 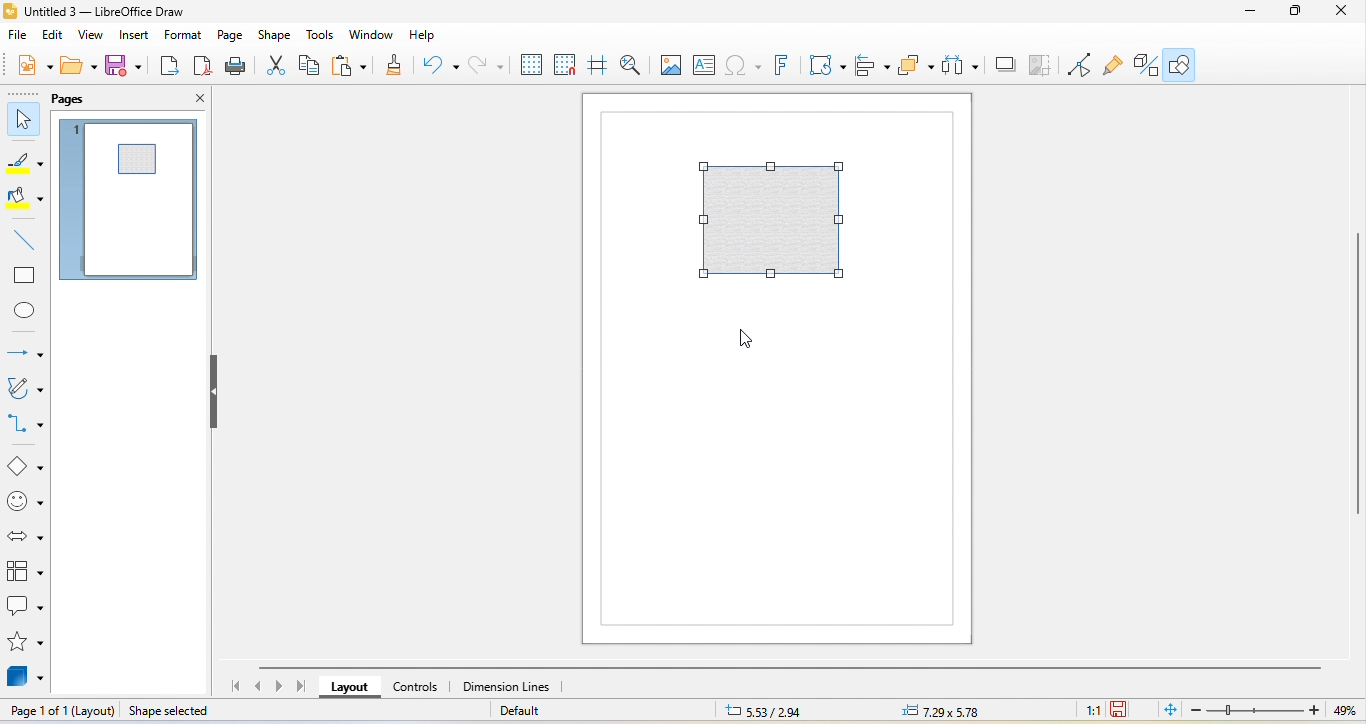 I want to click on text box, so click(x=704, y=66).